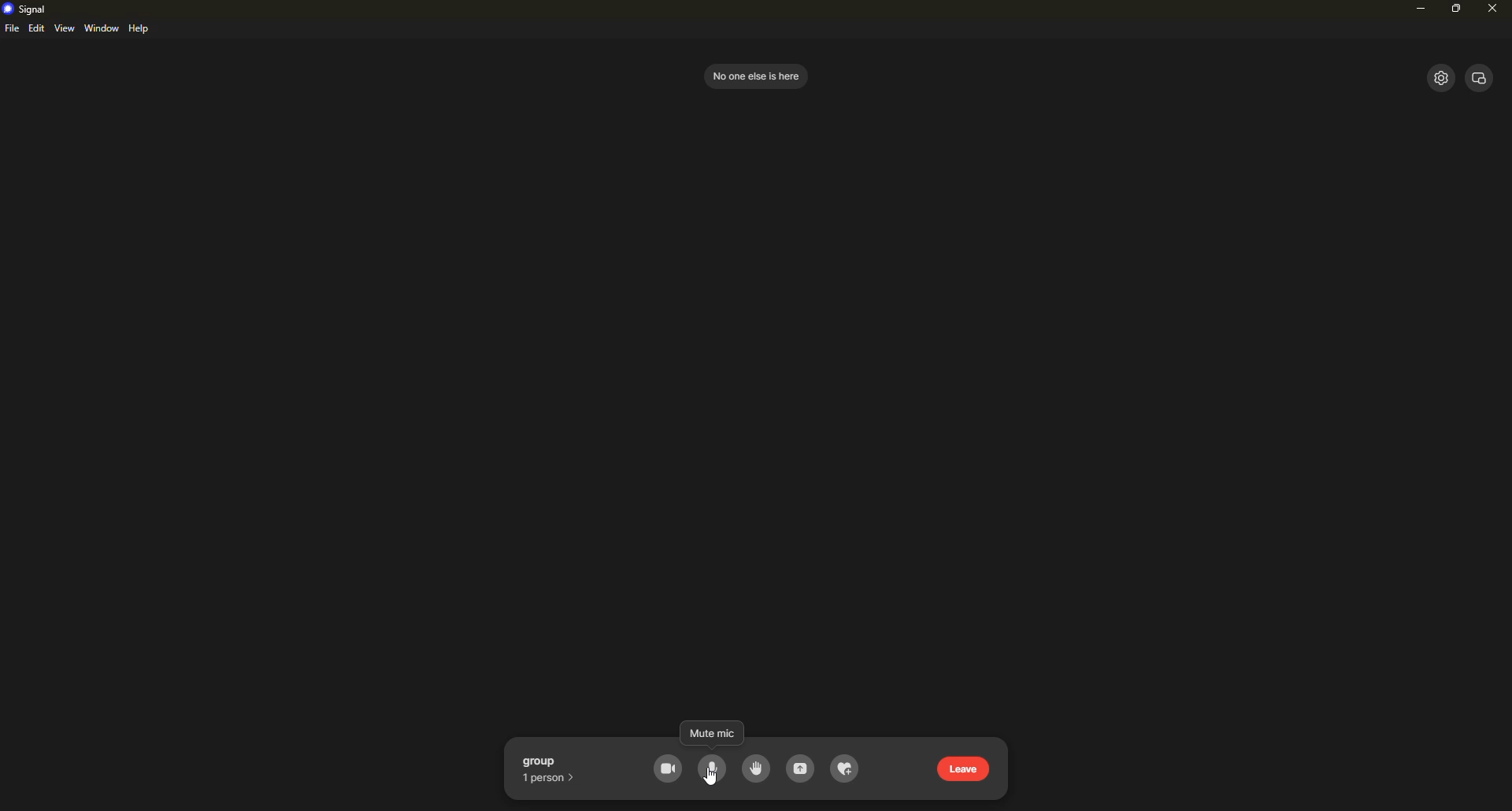  I want to click on share screen, so click(801, 770).